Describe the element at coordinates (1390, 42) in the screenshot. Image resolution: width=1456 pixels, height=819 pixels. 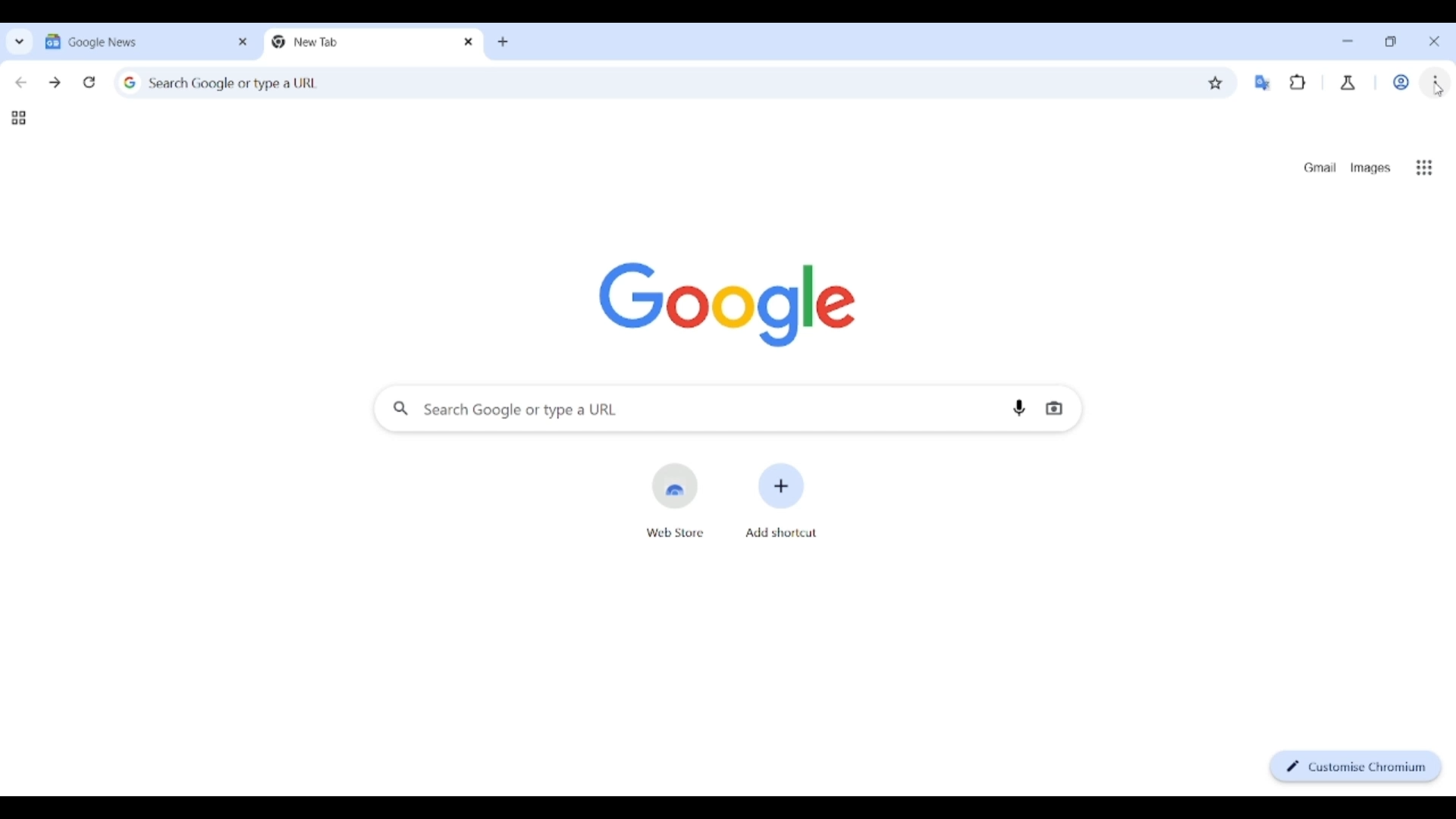
I see `Show interface in a smaller tab` at that location.